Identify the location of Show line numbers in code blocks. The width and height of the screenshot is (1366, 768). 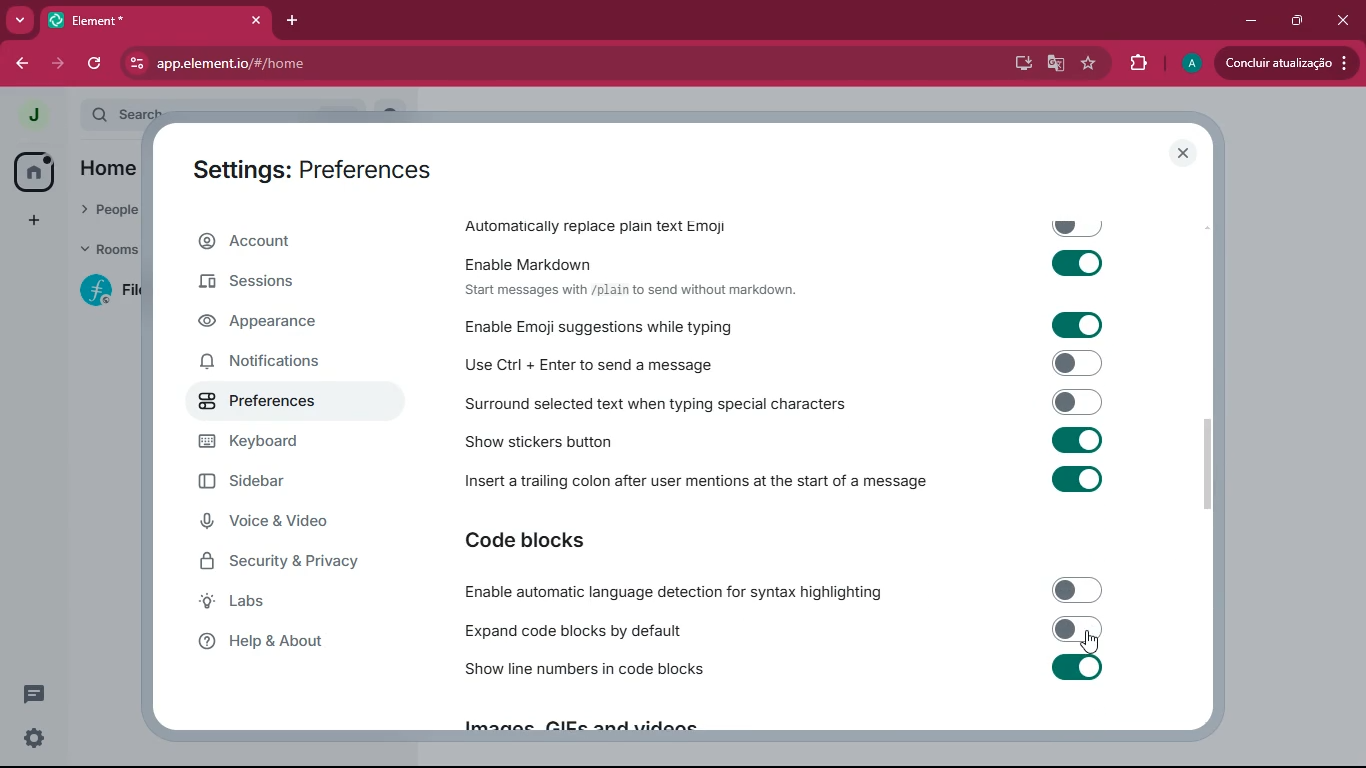
(785, 672).